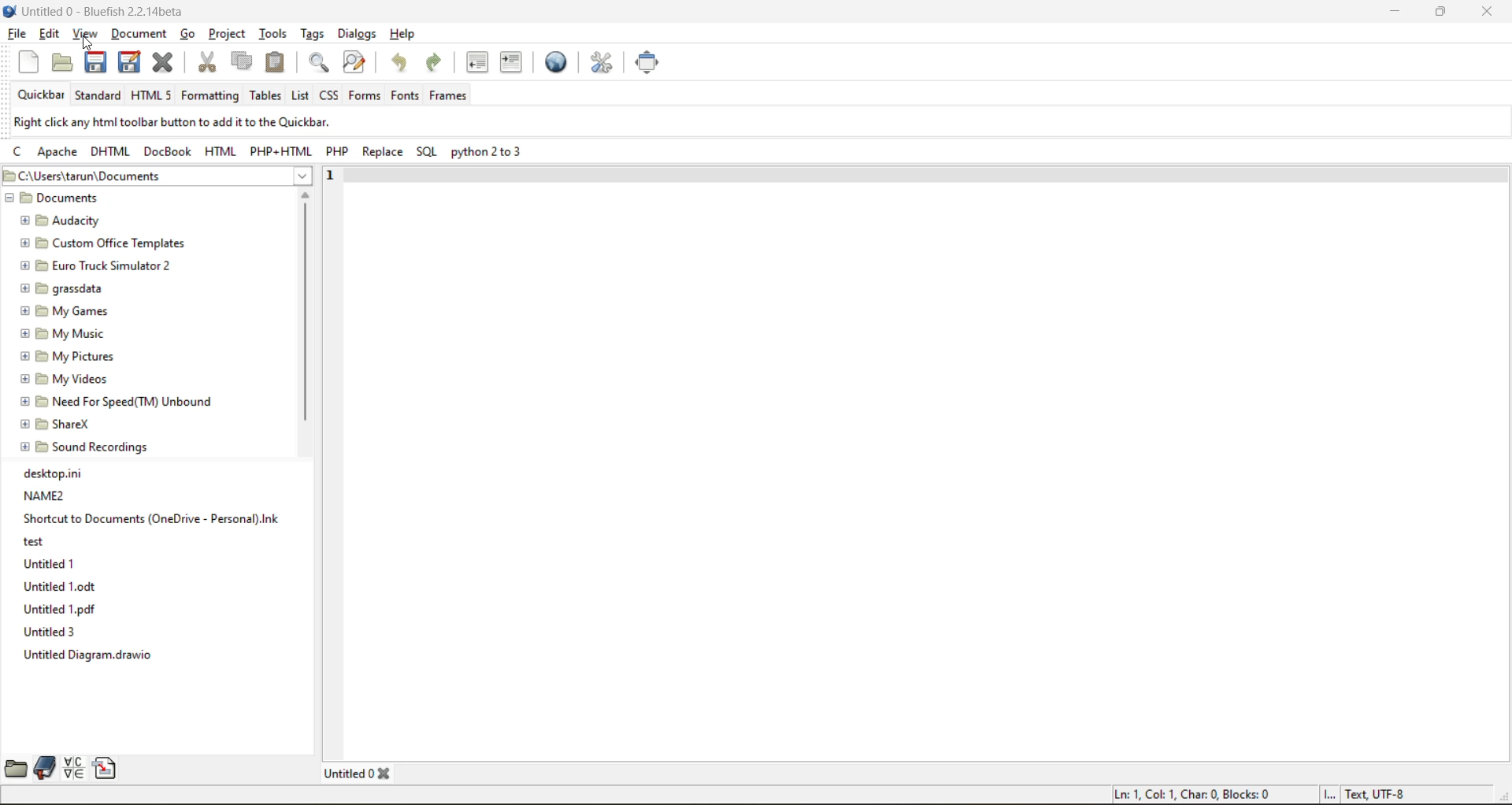 This screenshot has width=1512, height=805. What do you see at coordinates (227, 35) in the screenshot?
I see `project` at bounding box center [227, 35].